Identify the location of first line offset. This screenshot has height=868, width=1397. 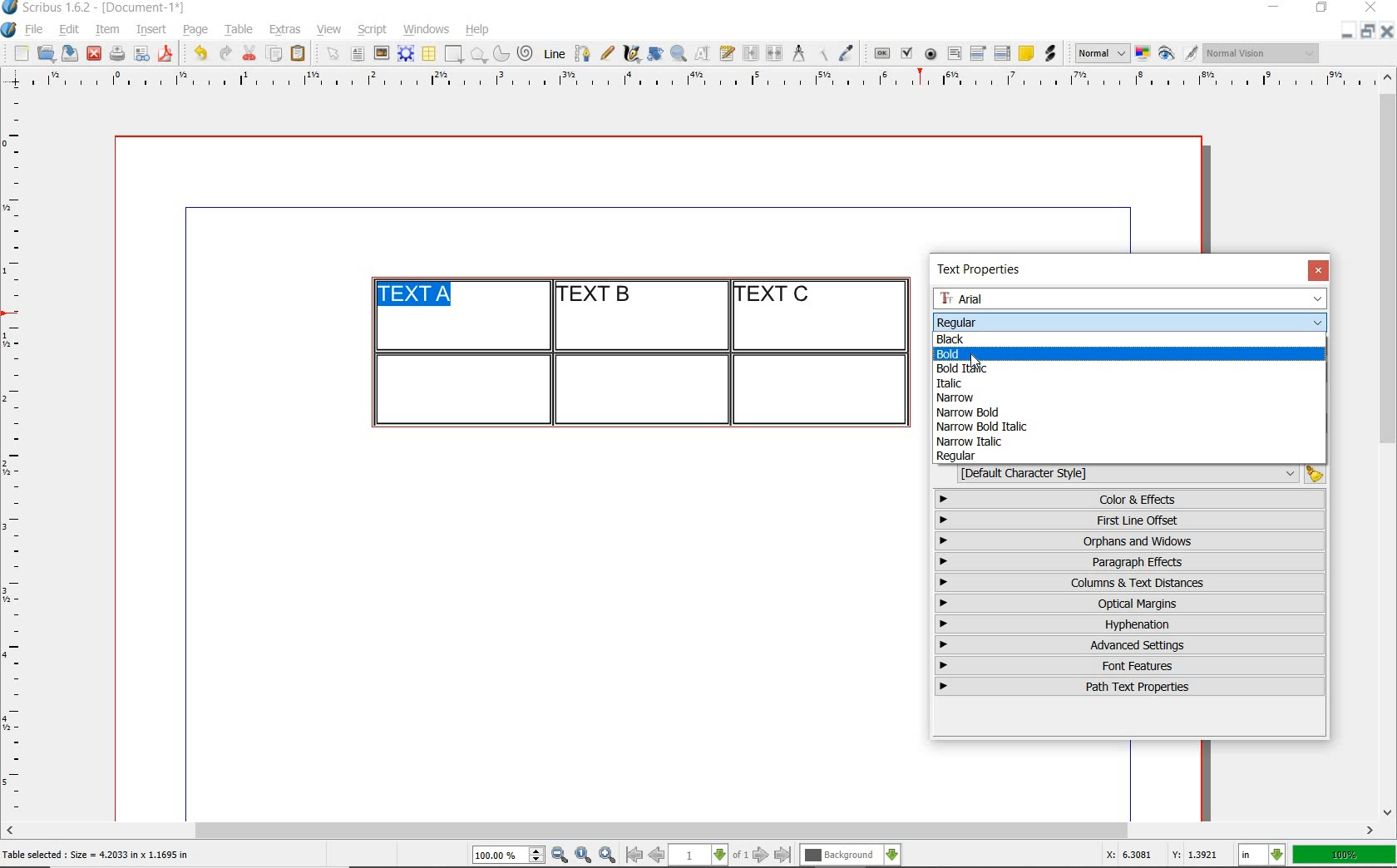
(1131, 520).